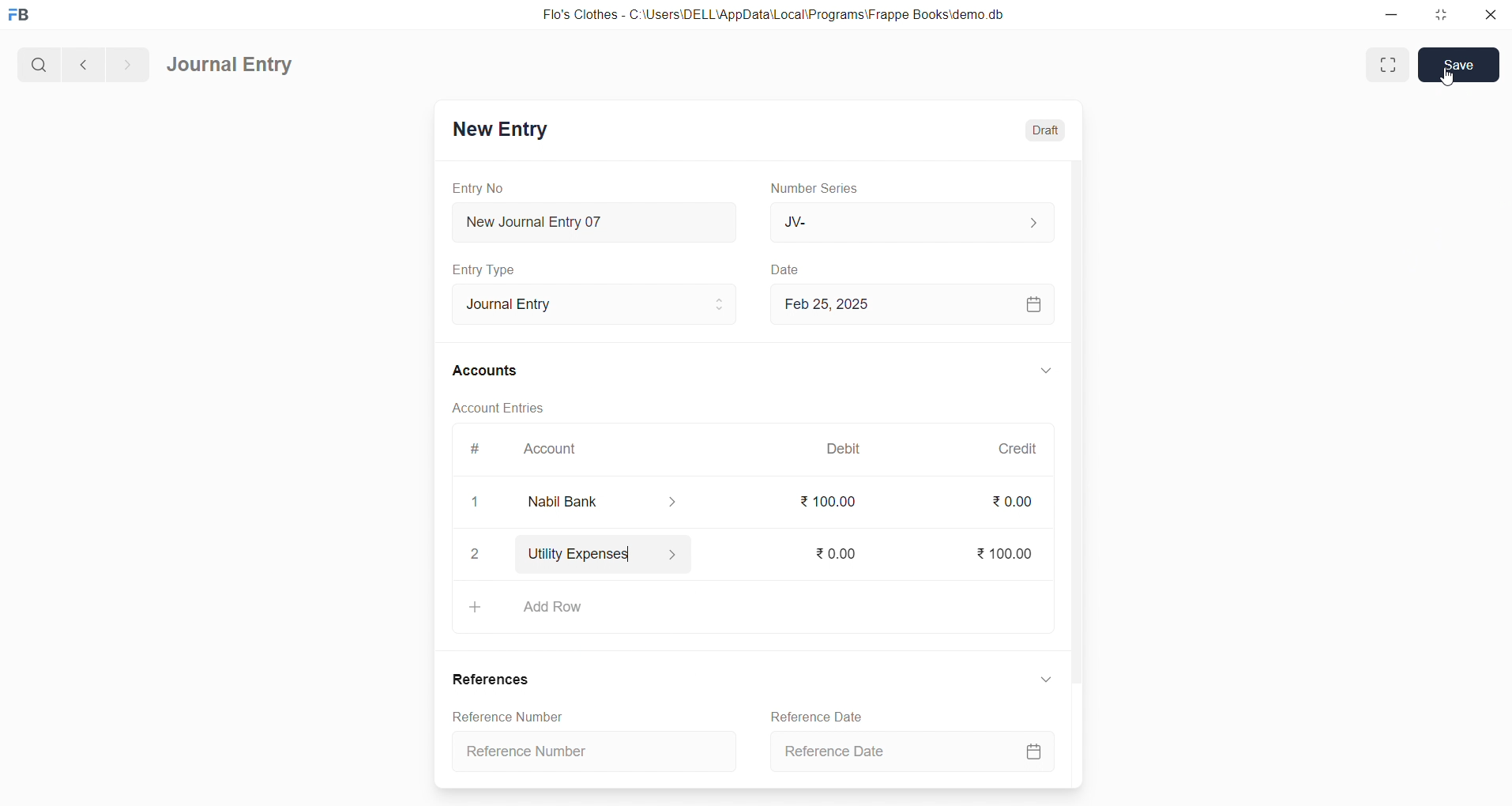 The width and height of the screenshot is (1512, 806). Describe the element at coordinates (582, 302) in the screenshot. I see `Journal Entry` at that location.